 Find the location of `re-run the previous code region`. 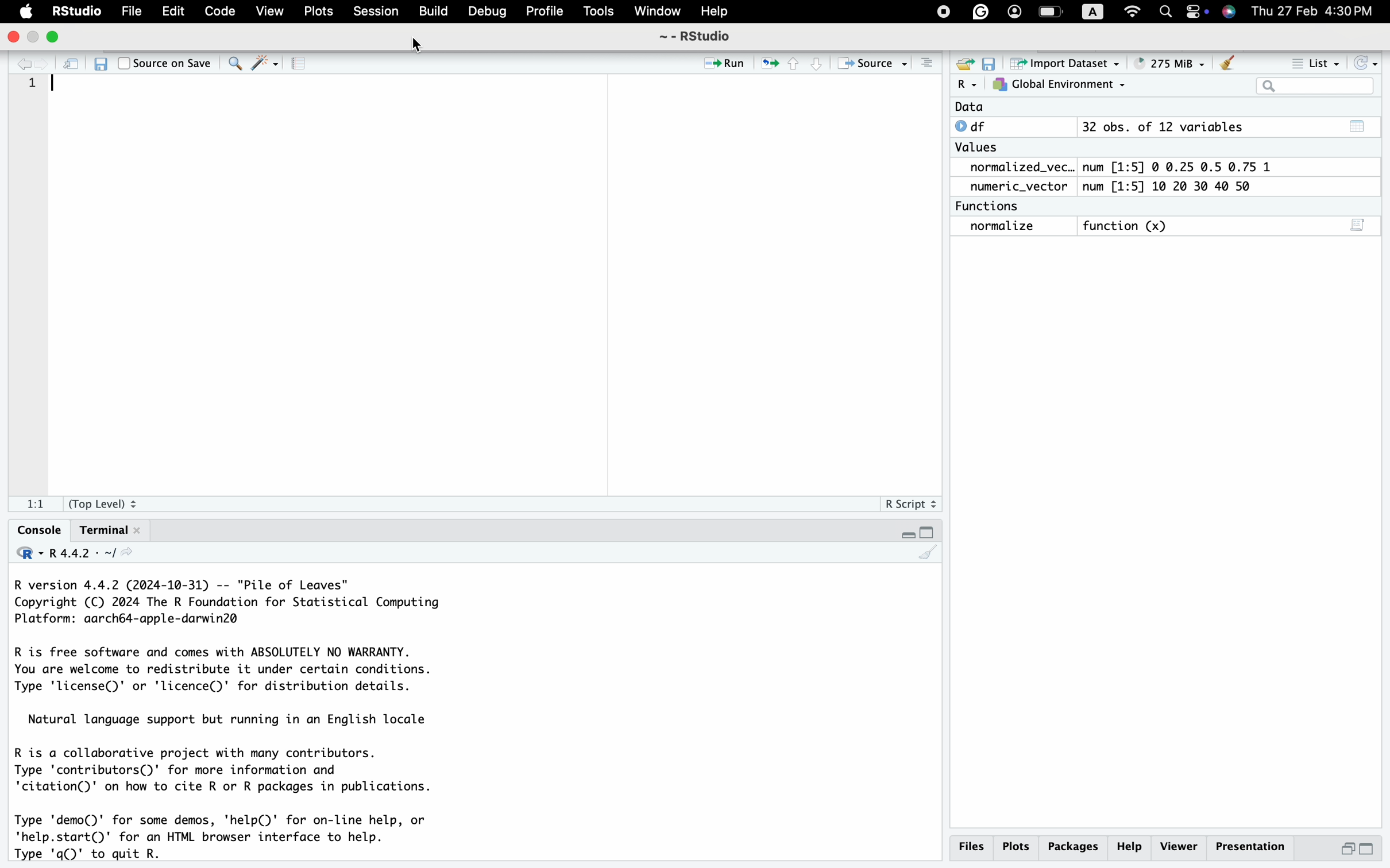

re-run the previous code region is located at coordinates (769, 62).